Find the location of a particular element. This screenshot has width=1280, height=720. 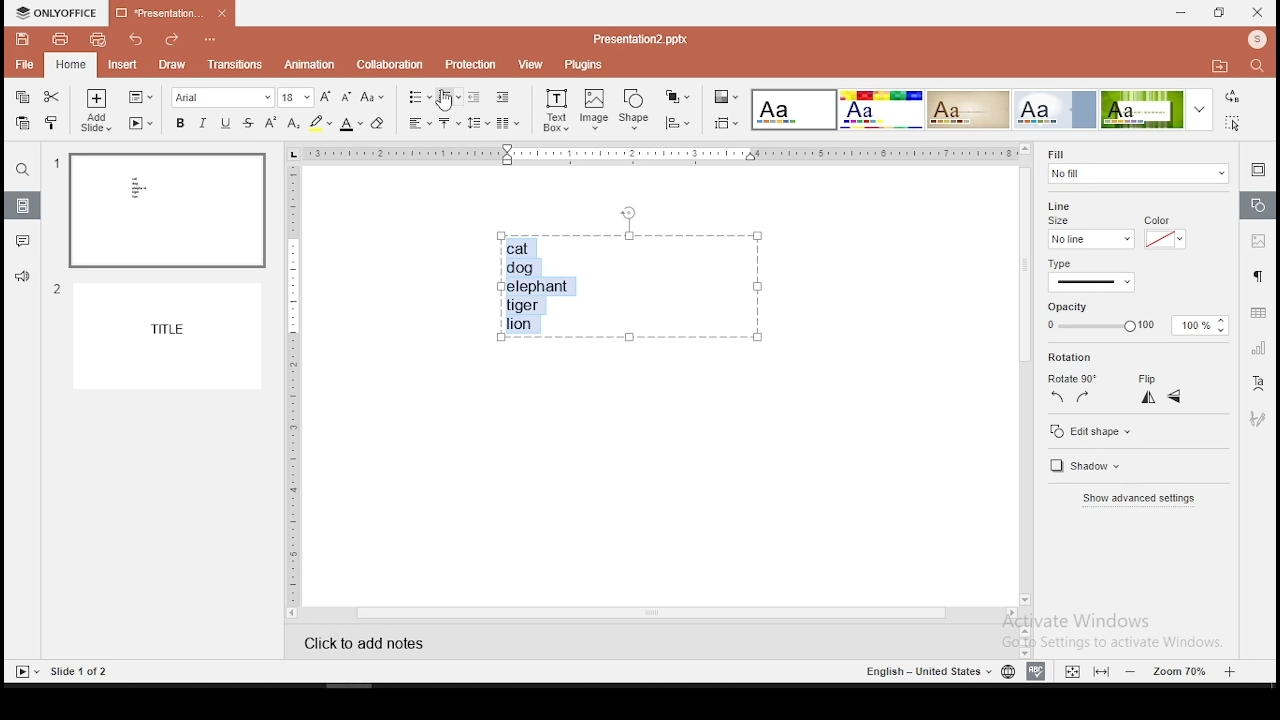

slides is located at coordinates (22, 206).